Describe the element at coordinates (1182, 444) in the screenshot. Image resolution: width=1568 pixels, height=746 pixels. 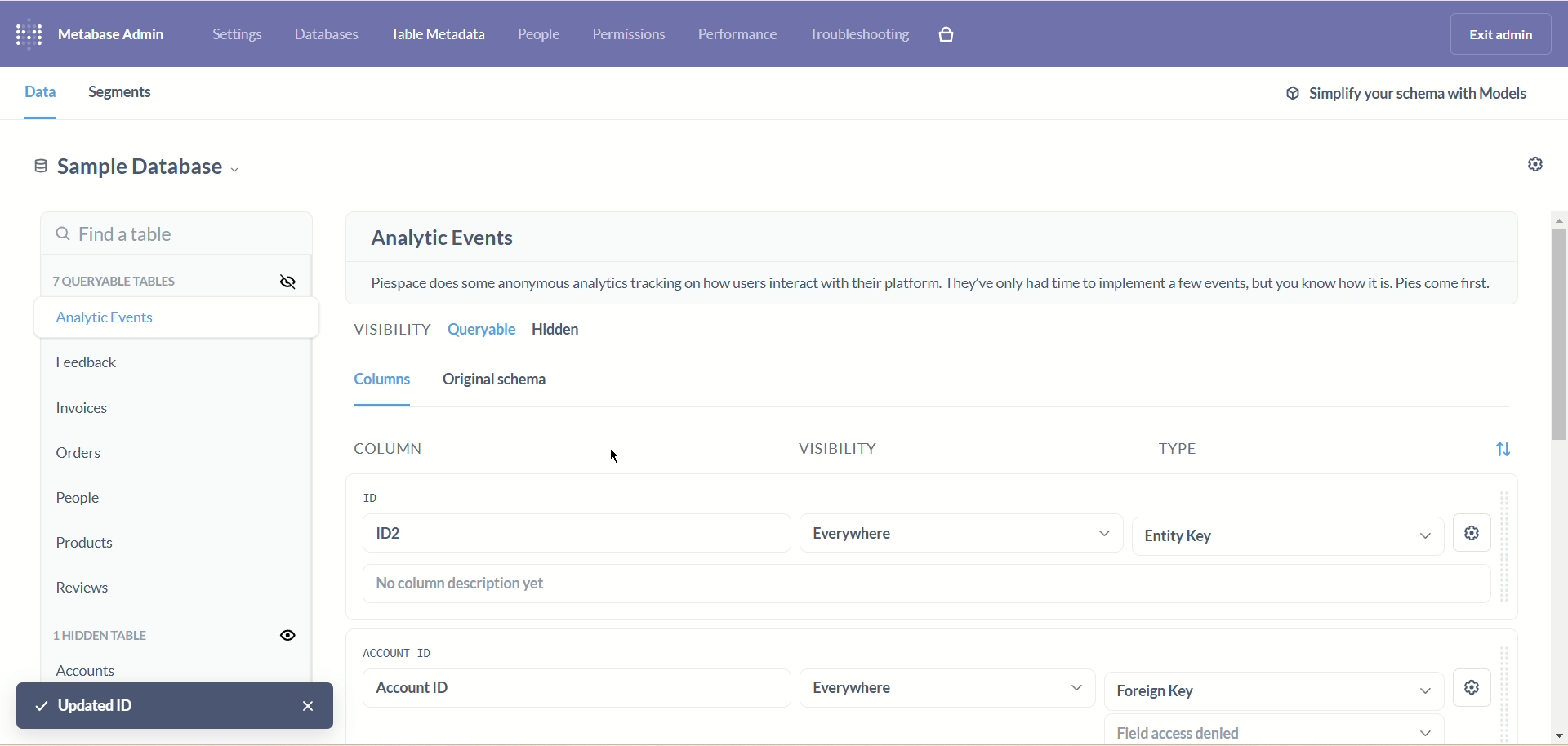
I see `Type` at that location.